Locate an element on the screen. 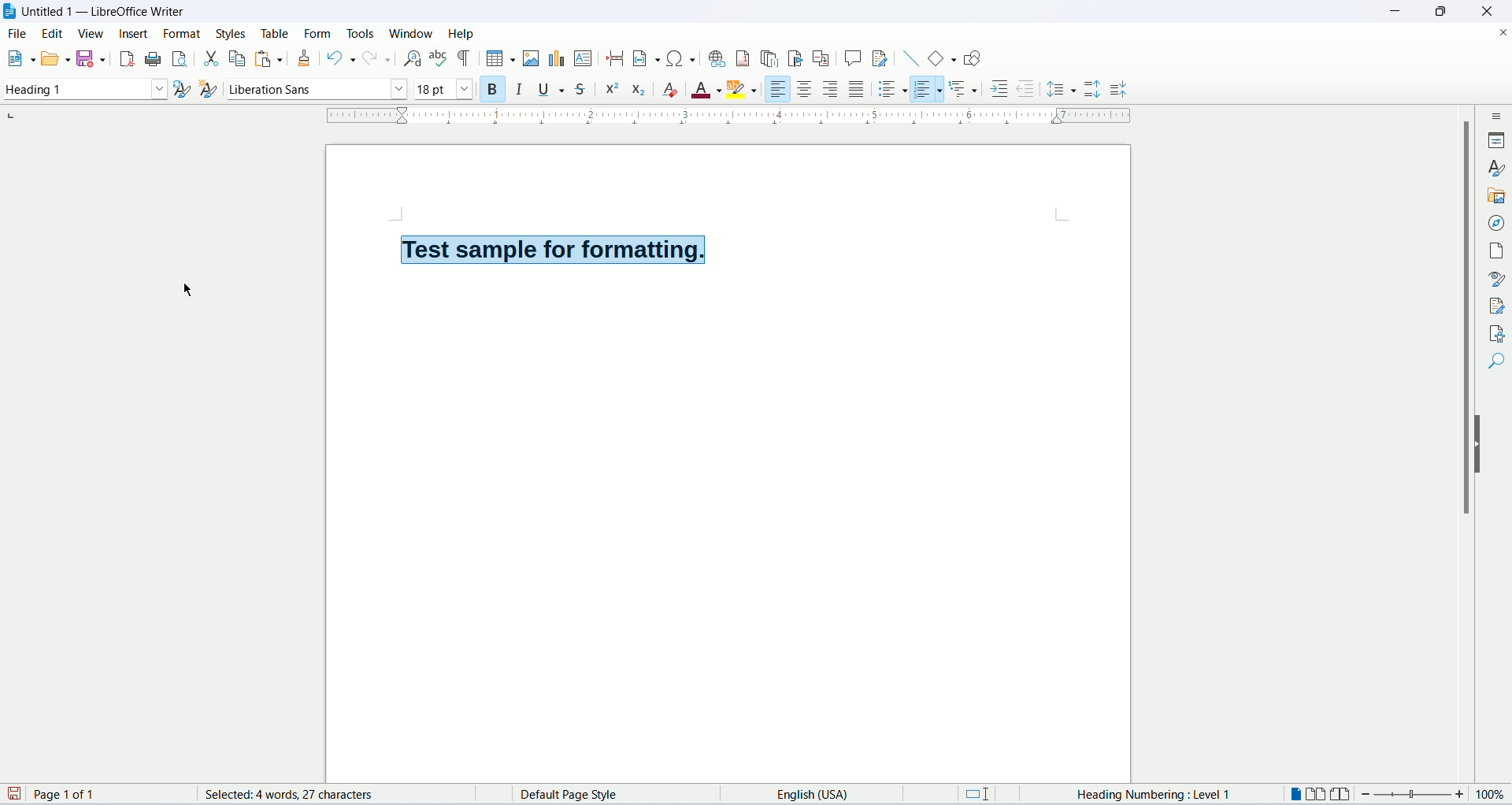 This screenshot has height=805, width=1512. insert bookmark is located at coordinates (798, 58).